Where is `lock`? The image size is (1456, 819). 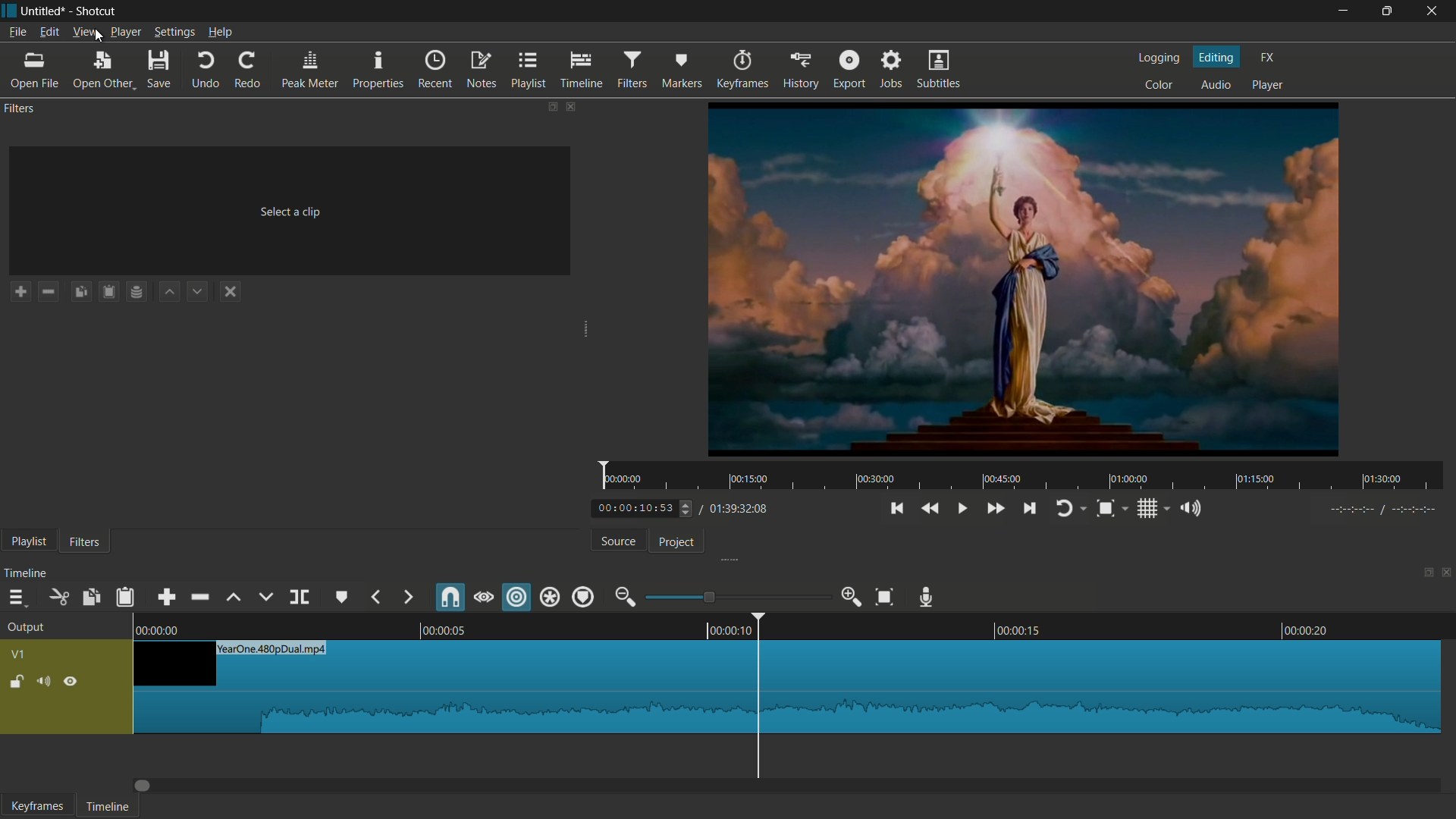
lock is located at coordinates (16, 683).